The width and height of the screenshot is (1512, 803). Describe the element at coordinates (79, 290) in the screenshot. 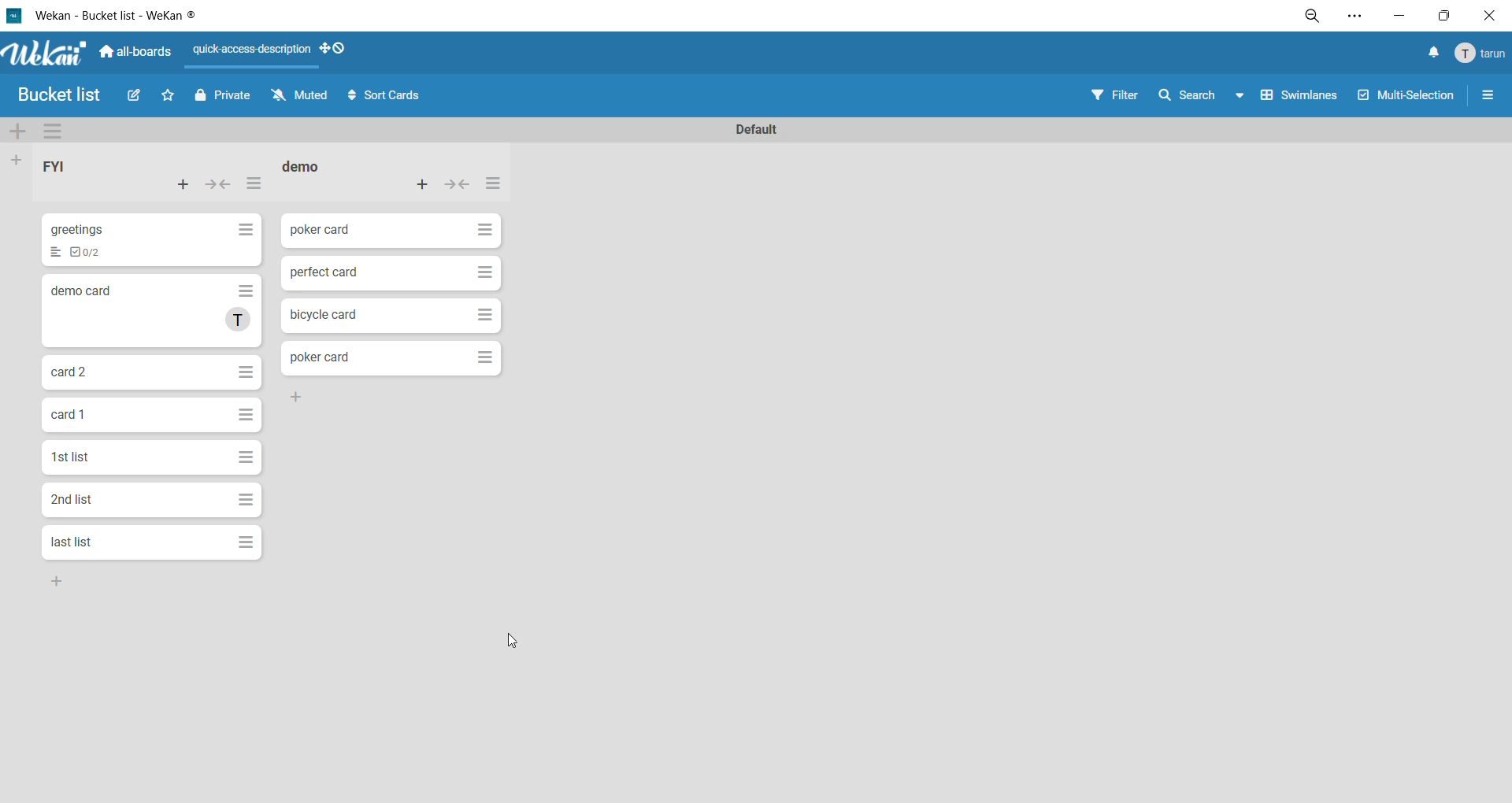

I see `demo card` at that location.